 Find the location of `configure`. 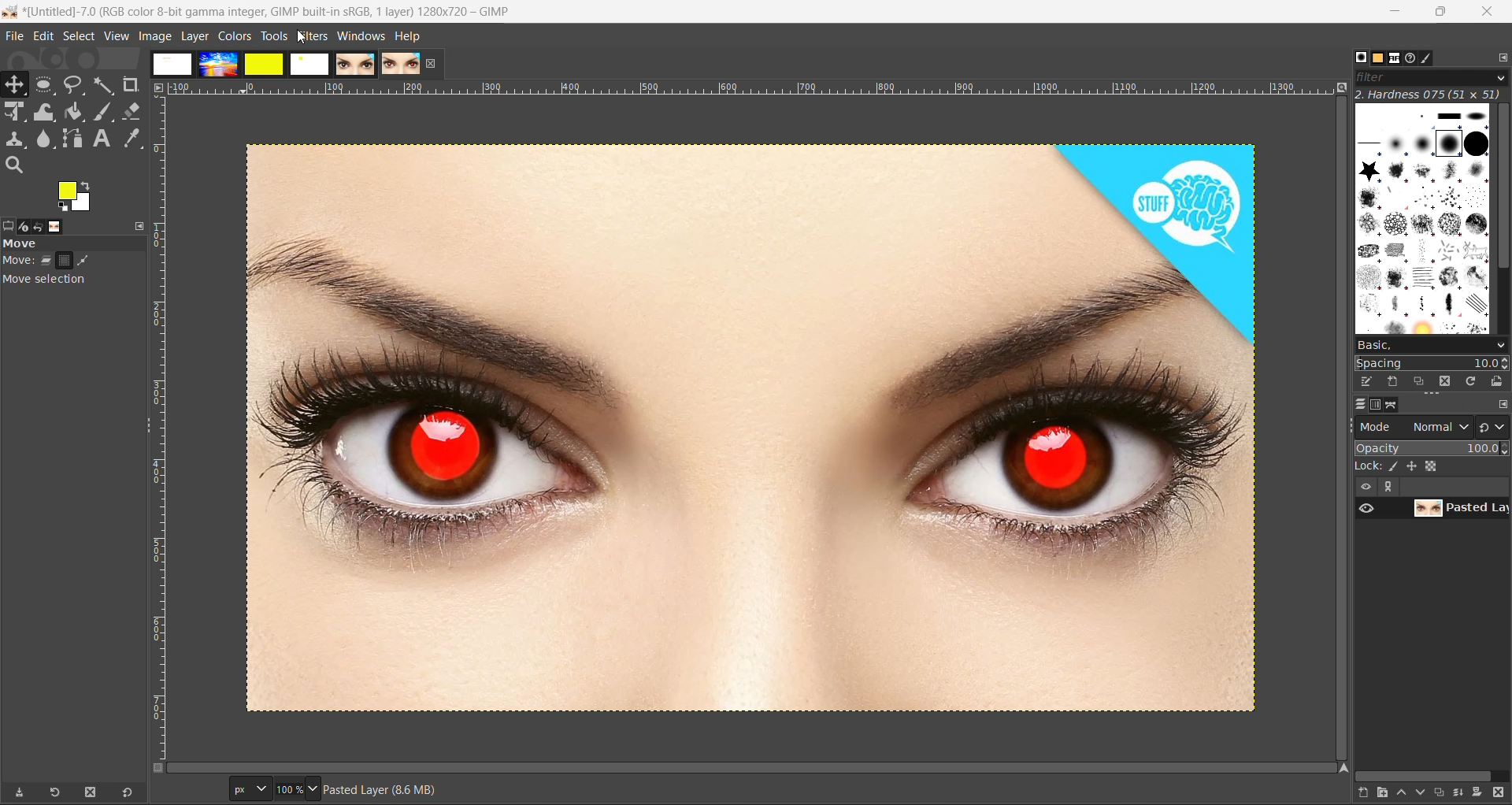

configure is located at coordinates (139, 226).